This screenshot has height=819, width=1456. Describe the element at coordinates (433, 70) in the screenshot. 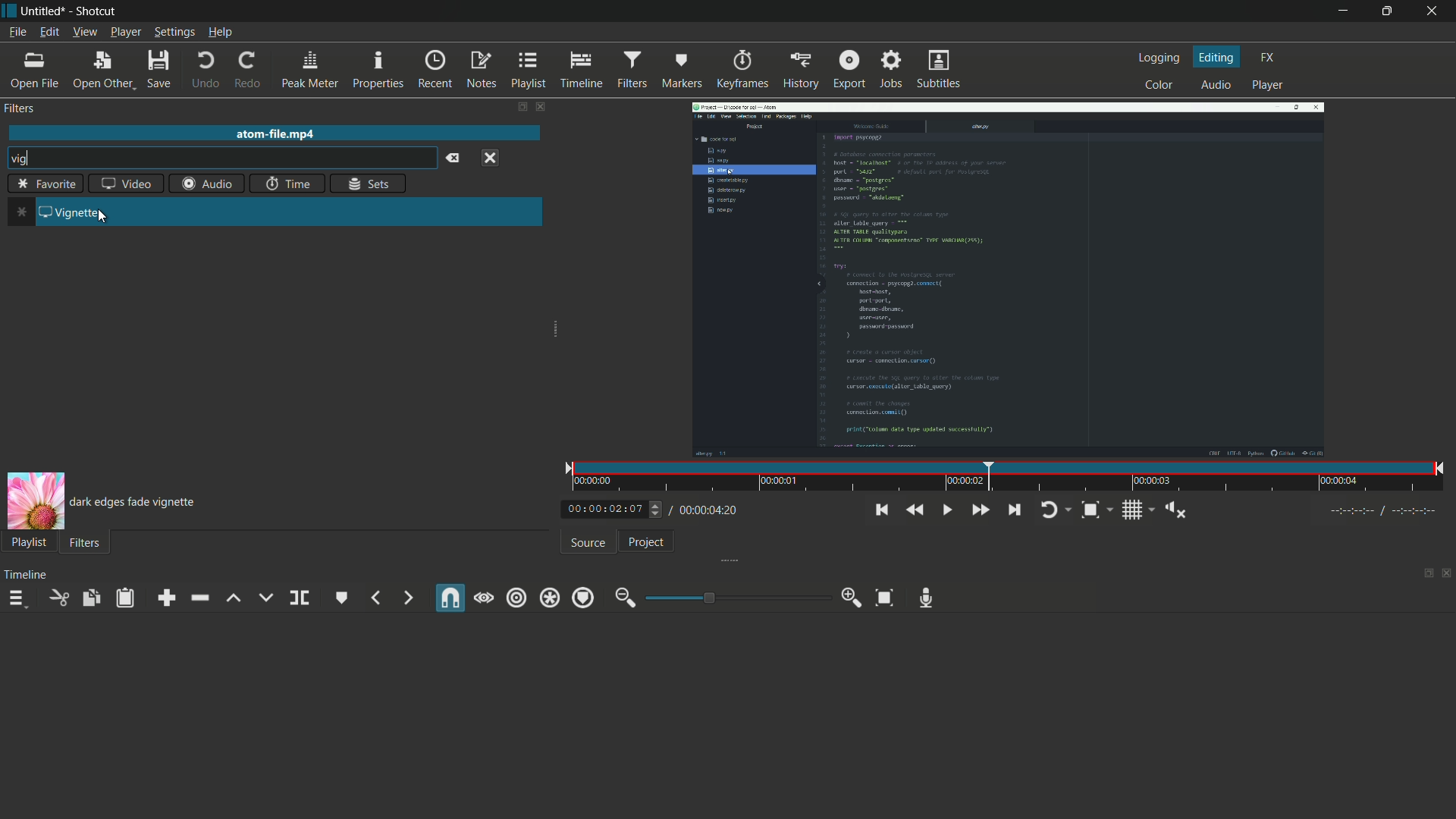

I see `recent` at that location.